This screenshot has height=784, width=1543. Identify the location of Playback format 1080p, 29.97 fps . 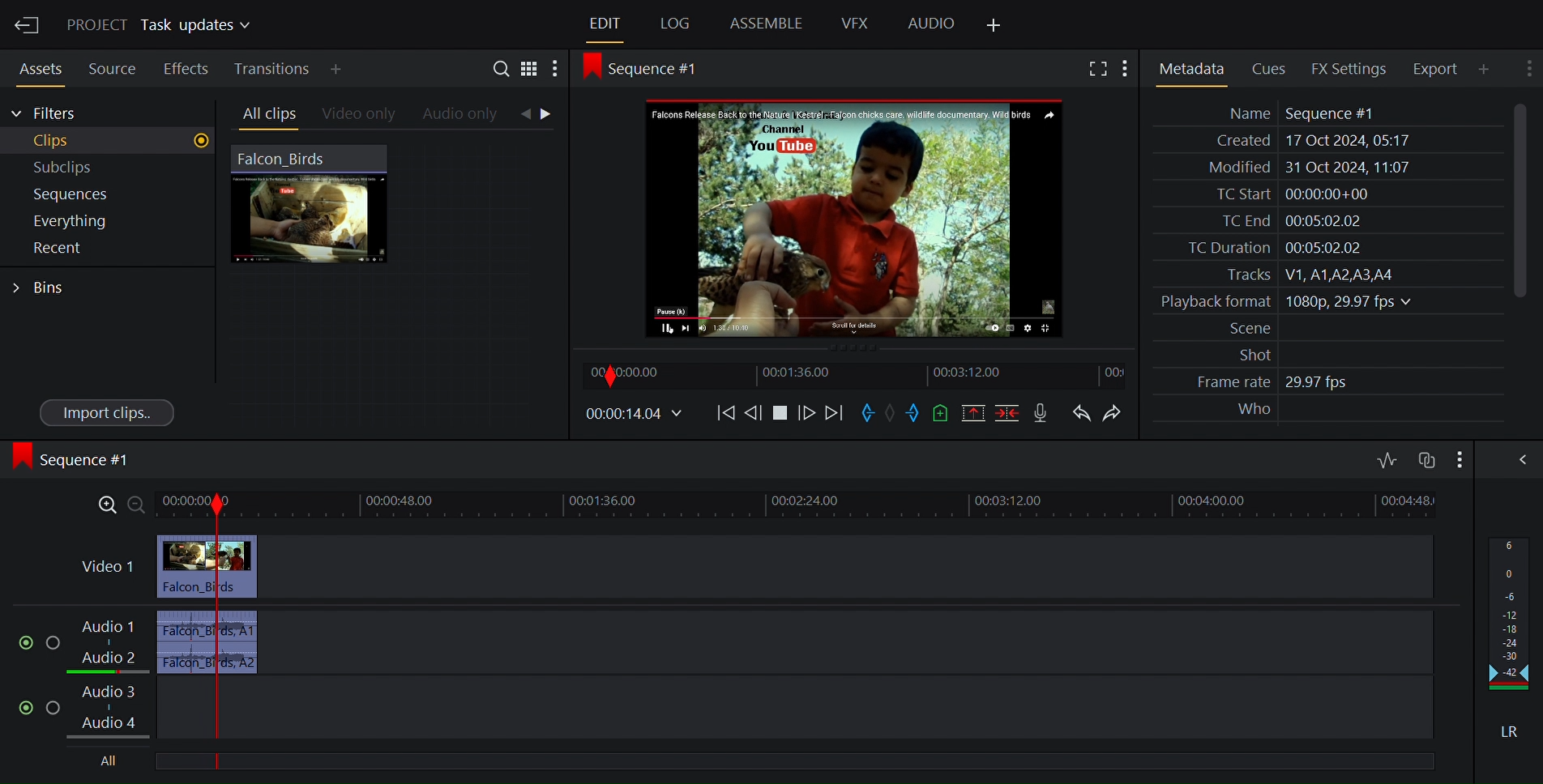
(1282, 302).